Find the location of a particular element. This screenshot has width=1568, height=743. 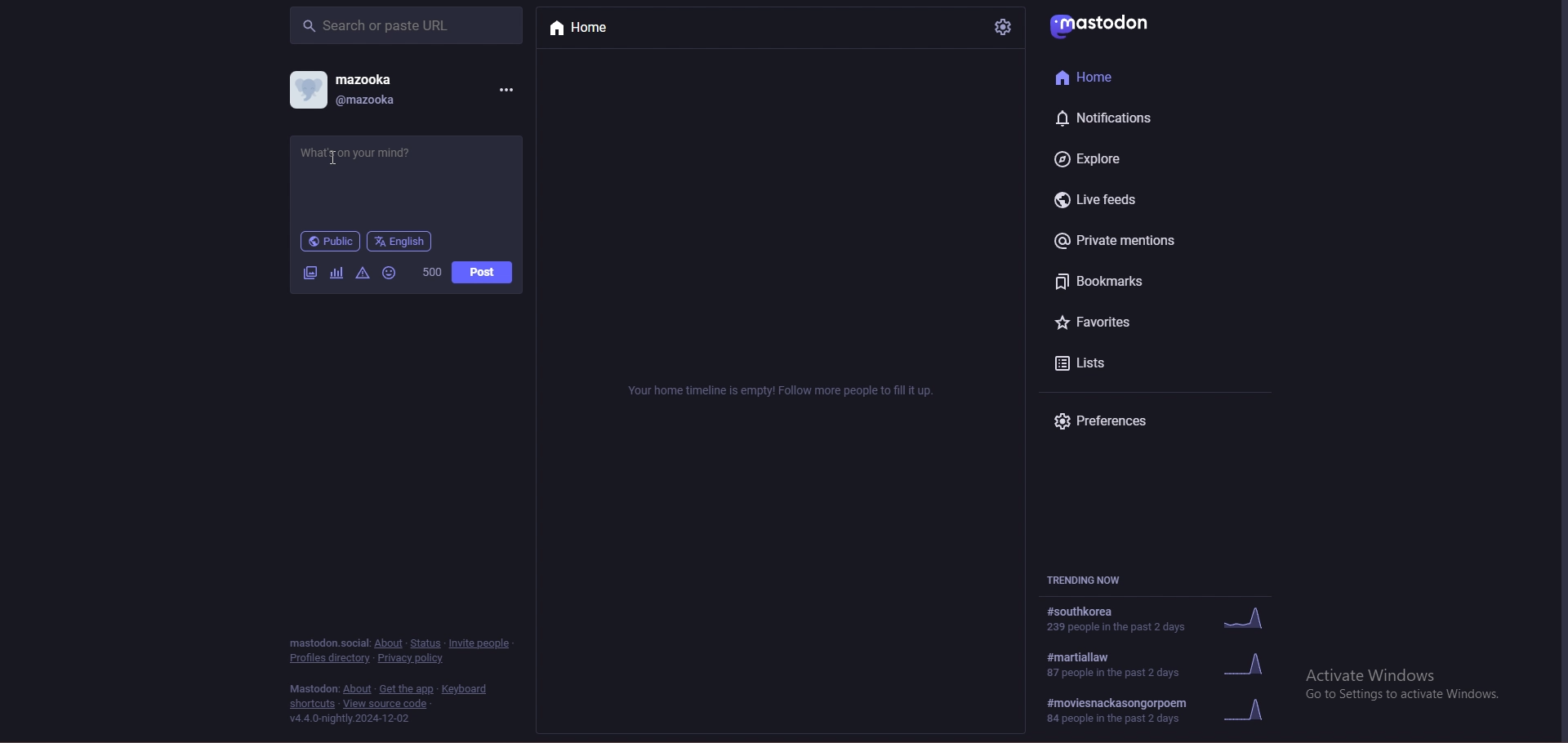

View source code is located at coordinates (1063, 1109).